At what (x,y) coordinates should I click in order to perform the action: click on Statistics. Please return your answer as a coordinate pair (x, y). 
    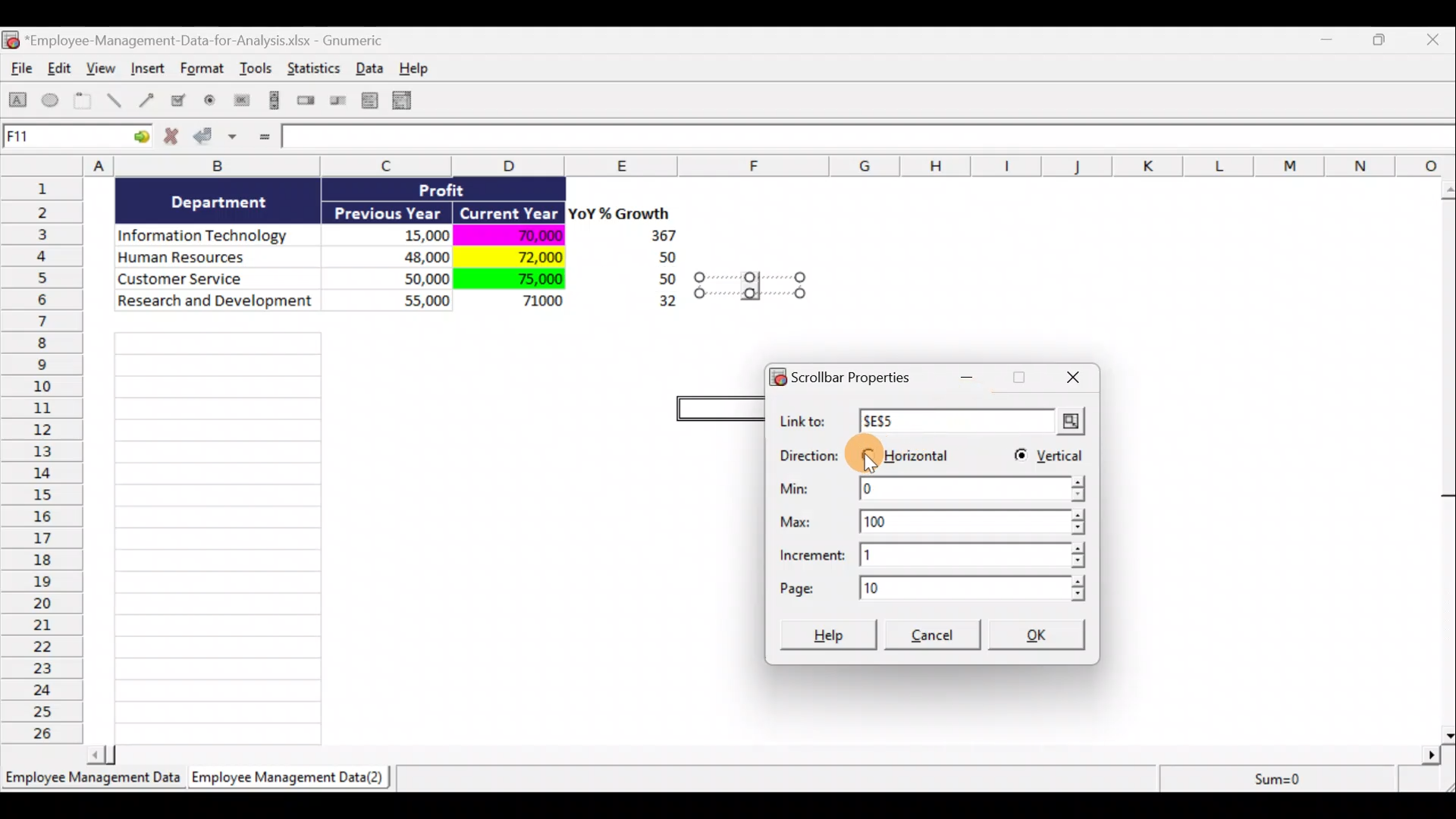
    Looking at the image, I should click on (315, 73).